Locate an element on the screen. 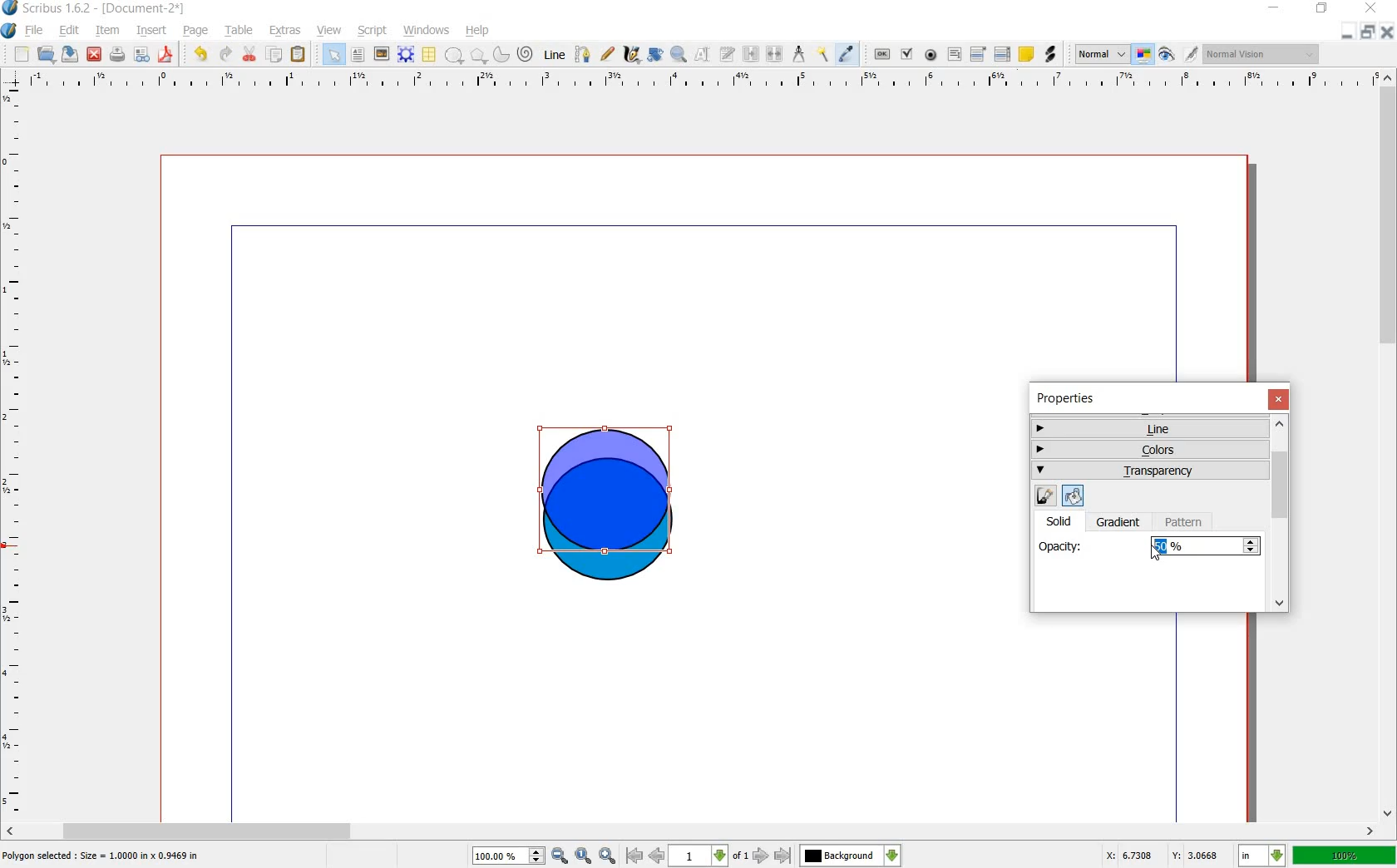  go to next or last page is located at coordinates (773, 856).